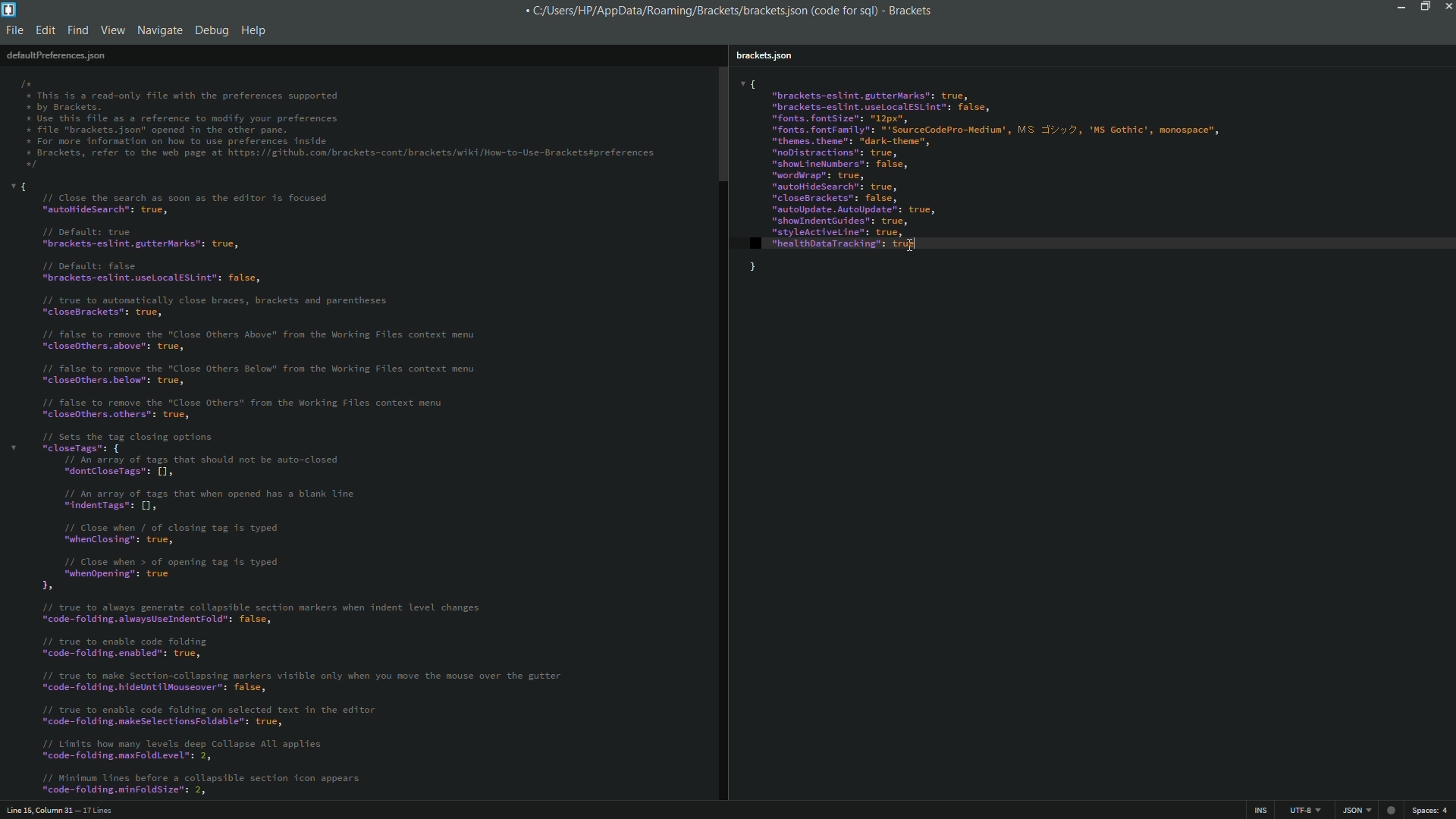  I want to click on INS, so click(1257, 811).